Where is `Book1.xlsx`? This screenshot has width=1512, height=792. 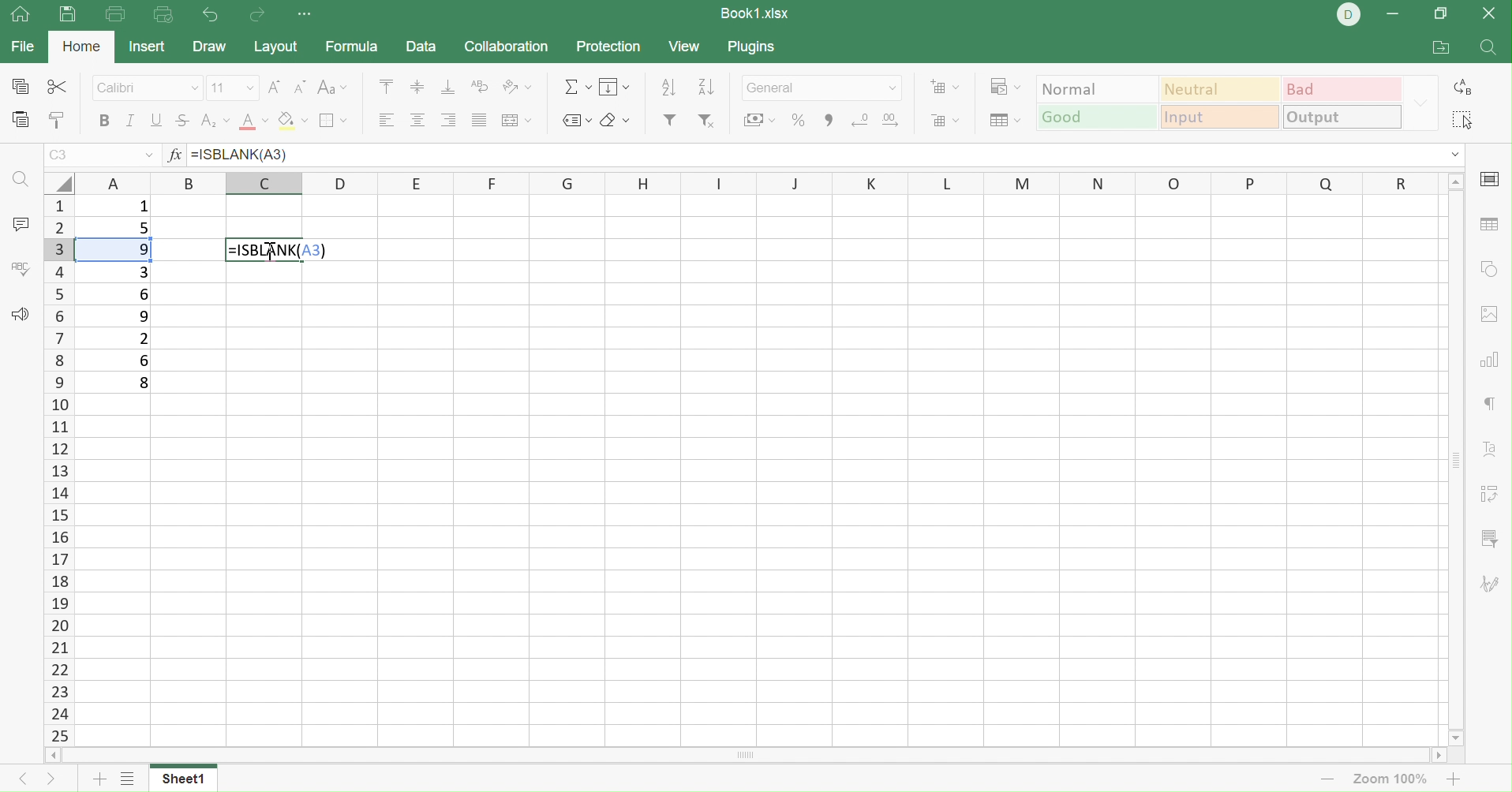
Book1.xlsx is located at coordinates (754, 13).